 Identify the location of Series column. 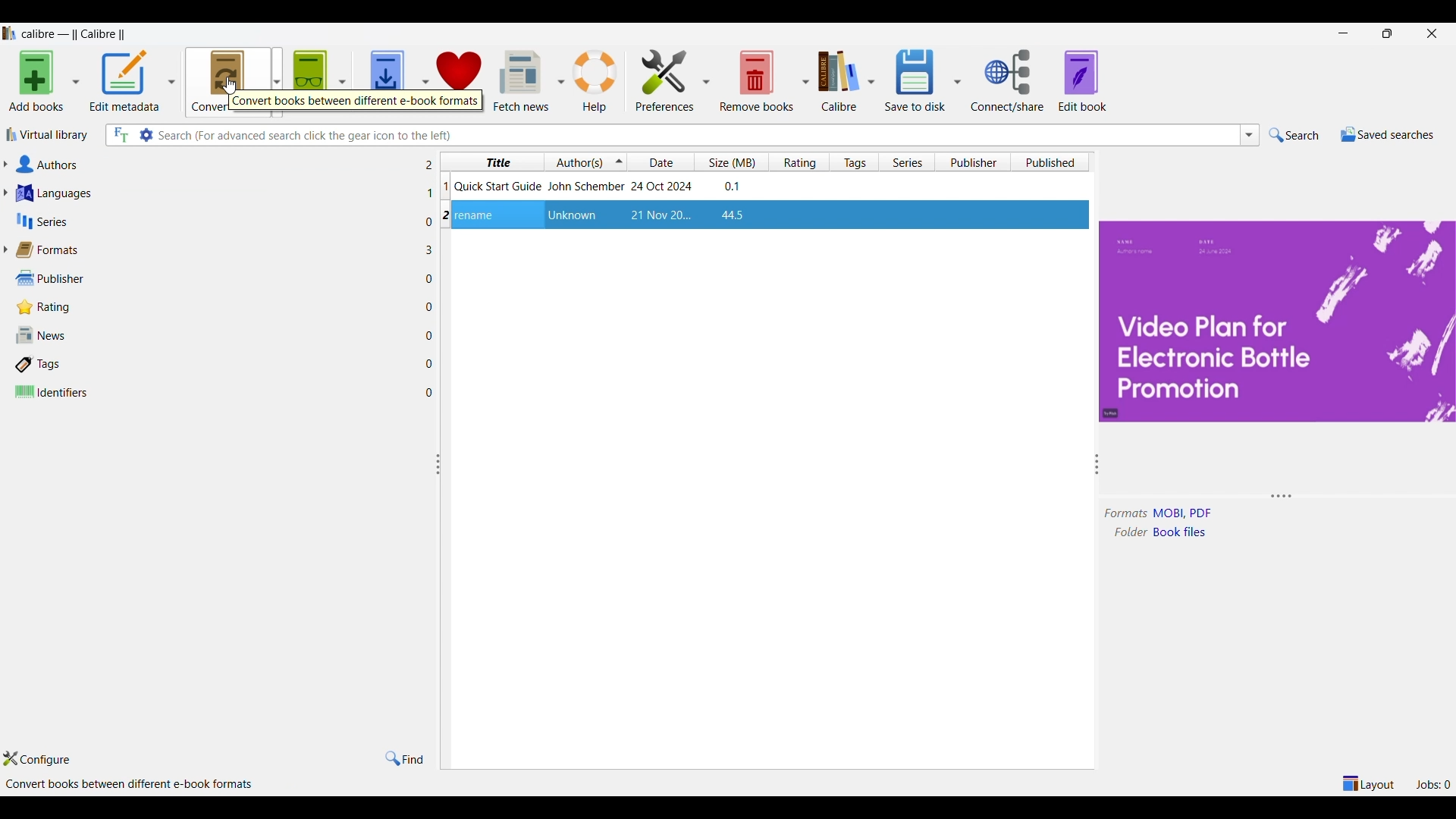
(907, 162).